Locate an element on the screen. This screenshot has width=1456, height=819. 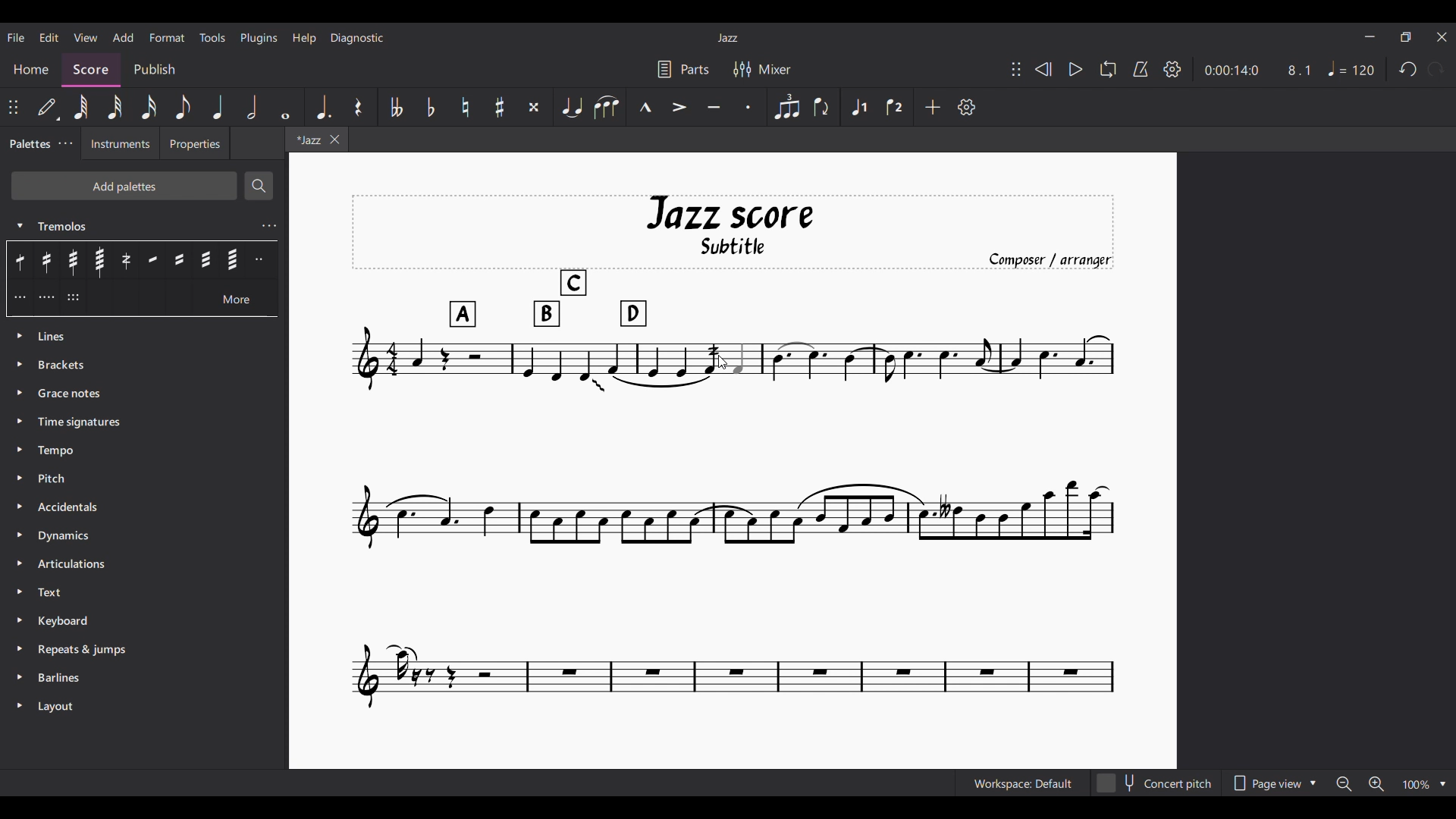
Settings is located at coordinates (1172, 69).